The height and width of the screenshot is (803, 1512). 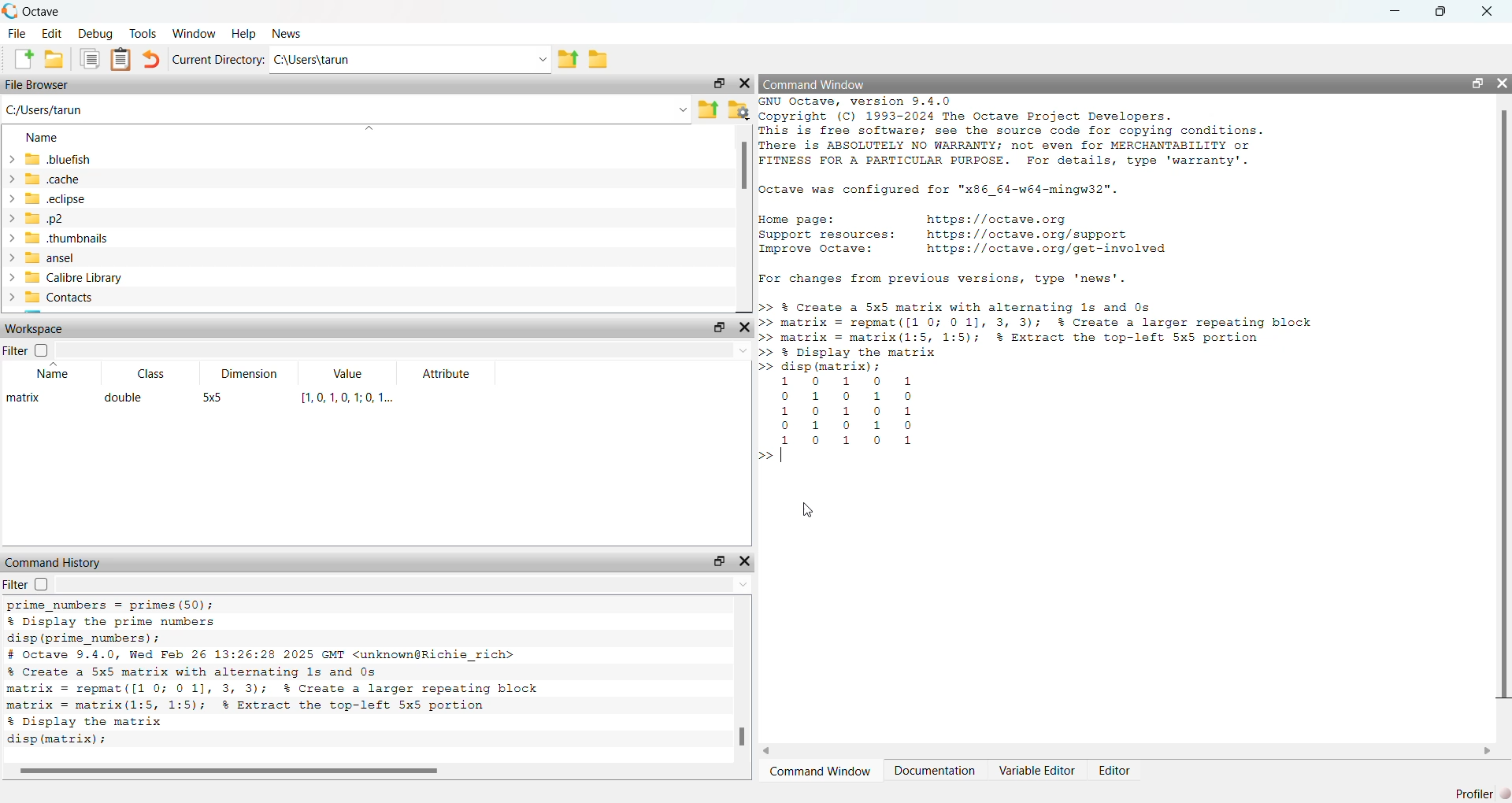 What do you see at coordinates (815, 85) in the screenshot?
I see `Command Window` at bounding box center [815, 85].